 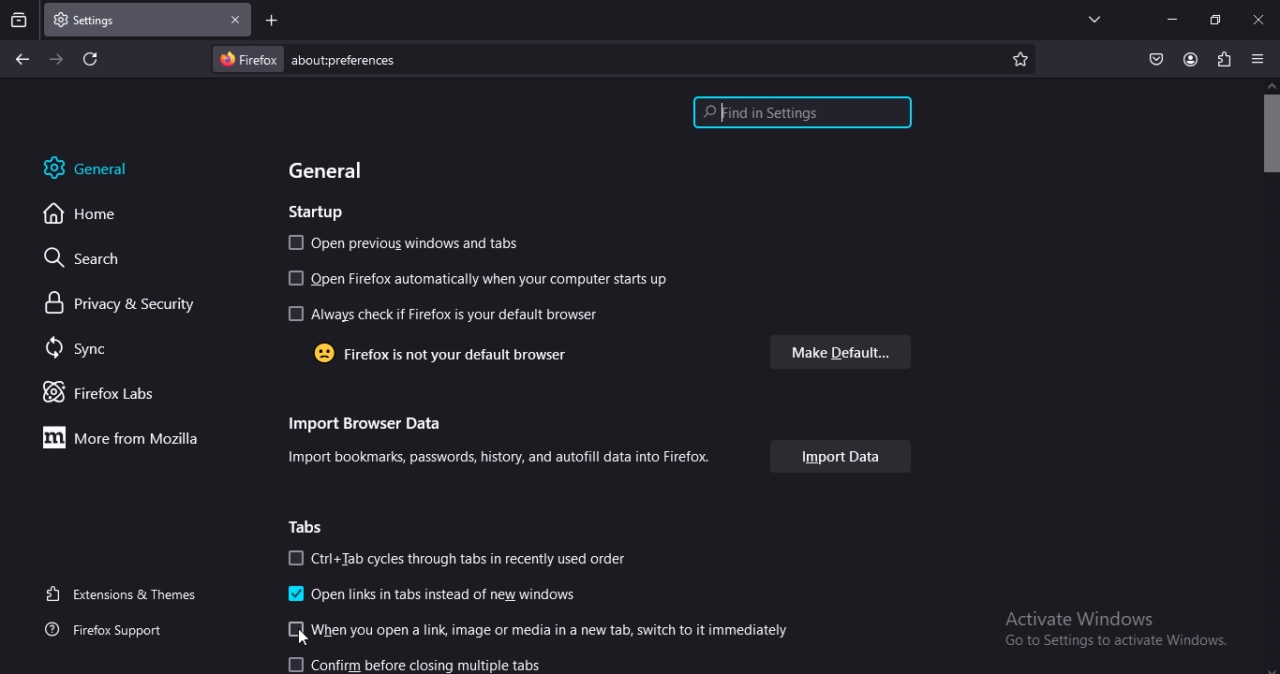 What do you see at coordinates (421, 661) in the screenshot?
I see `confirm before closing multiple tabs` at bounding box center [421, 661].